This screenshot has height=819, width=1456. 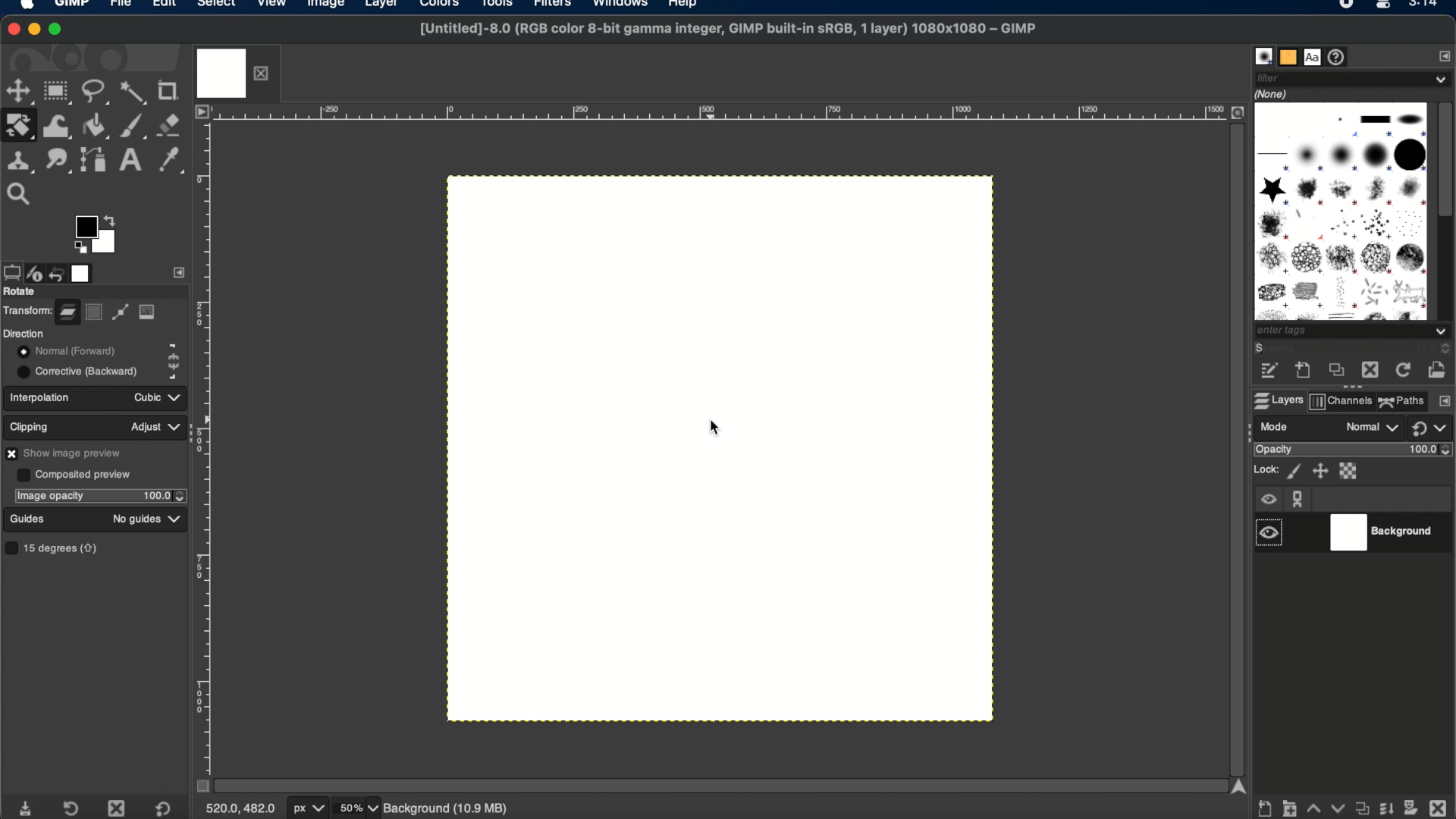 I want to click on add mask options, so click(x=1411, y=806).